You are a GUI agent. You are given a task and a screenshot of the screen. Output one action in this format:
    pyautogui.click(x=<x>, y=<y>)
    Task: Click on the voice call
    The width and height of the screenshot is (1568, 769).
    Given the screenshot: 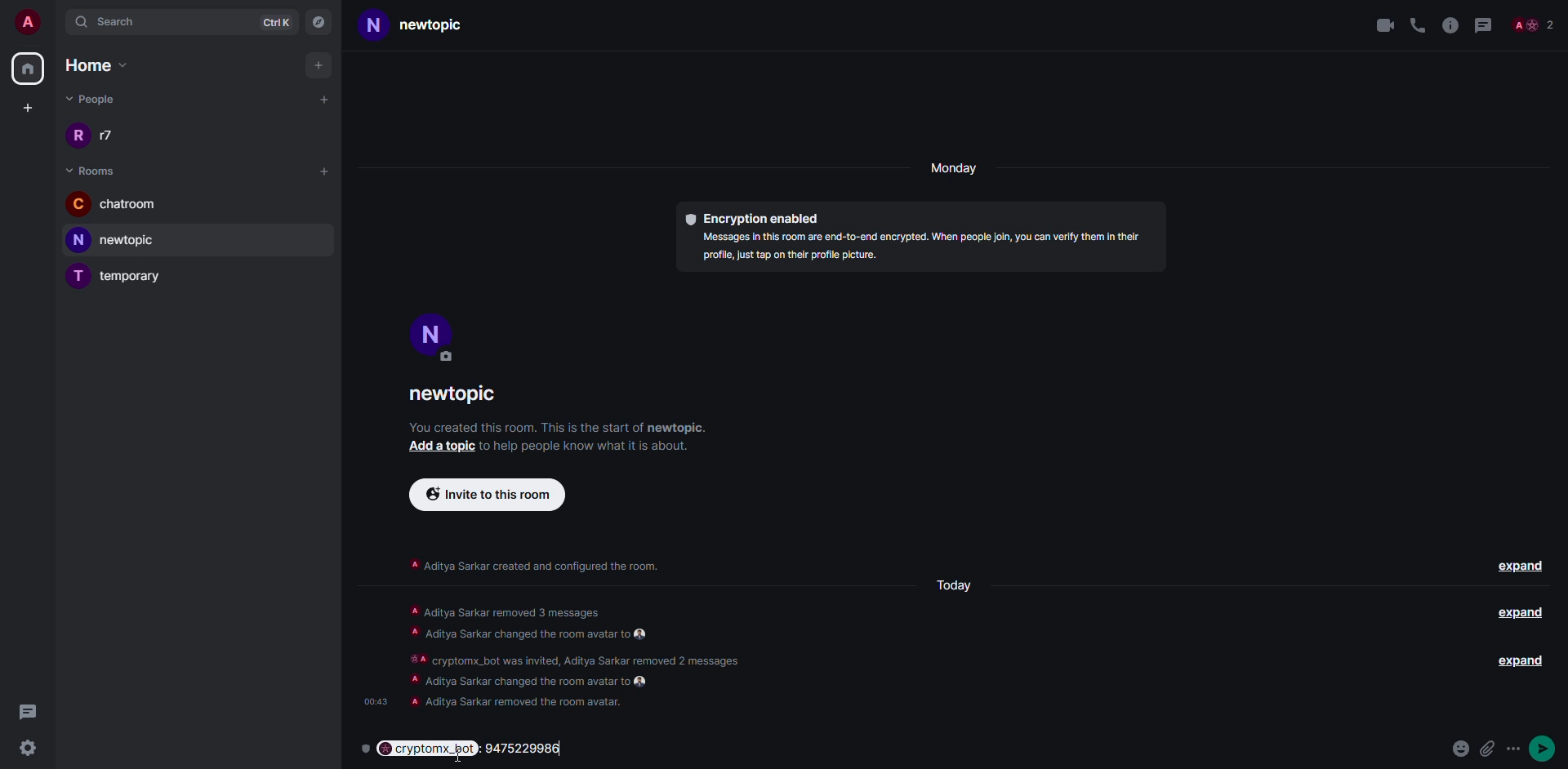 What is the action you would take?
    pyautogui.click(x=1418, y=23)
    